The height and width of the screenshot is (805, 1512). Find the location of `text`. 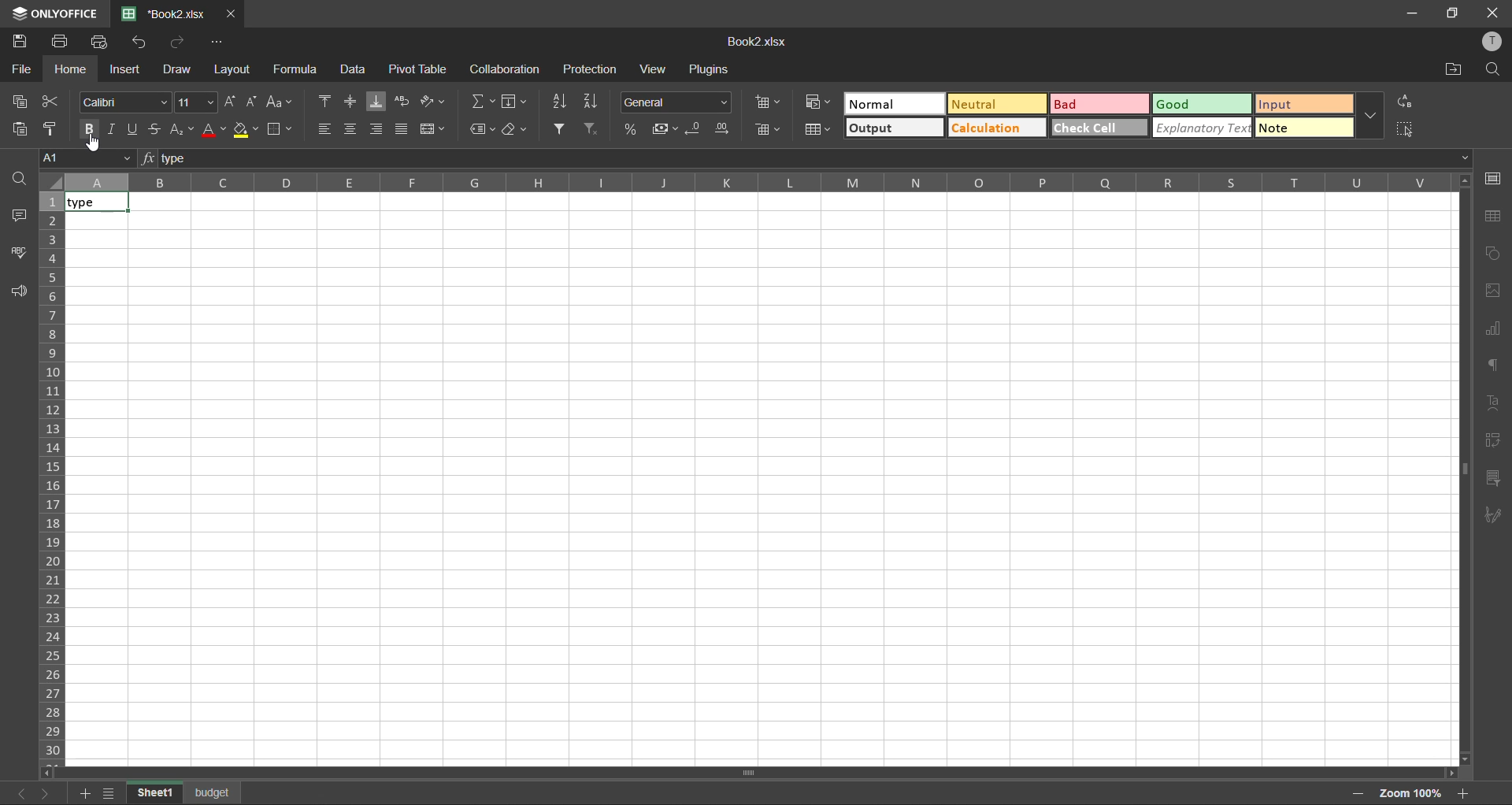

text is located at coordinates (1492, 402).